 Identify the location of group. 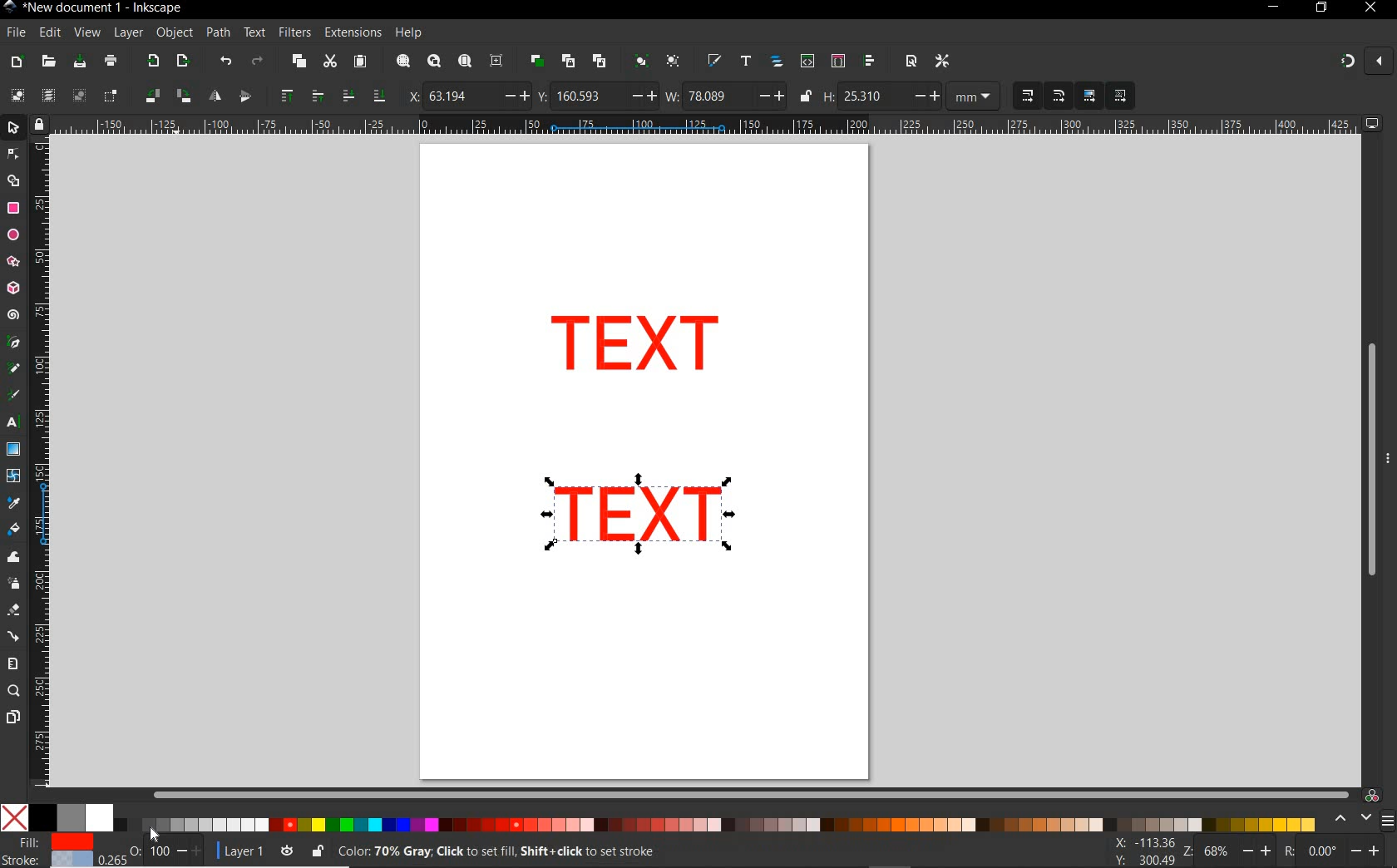
(639, 62).